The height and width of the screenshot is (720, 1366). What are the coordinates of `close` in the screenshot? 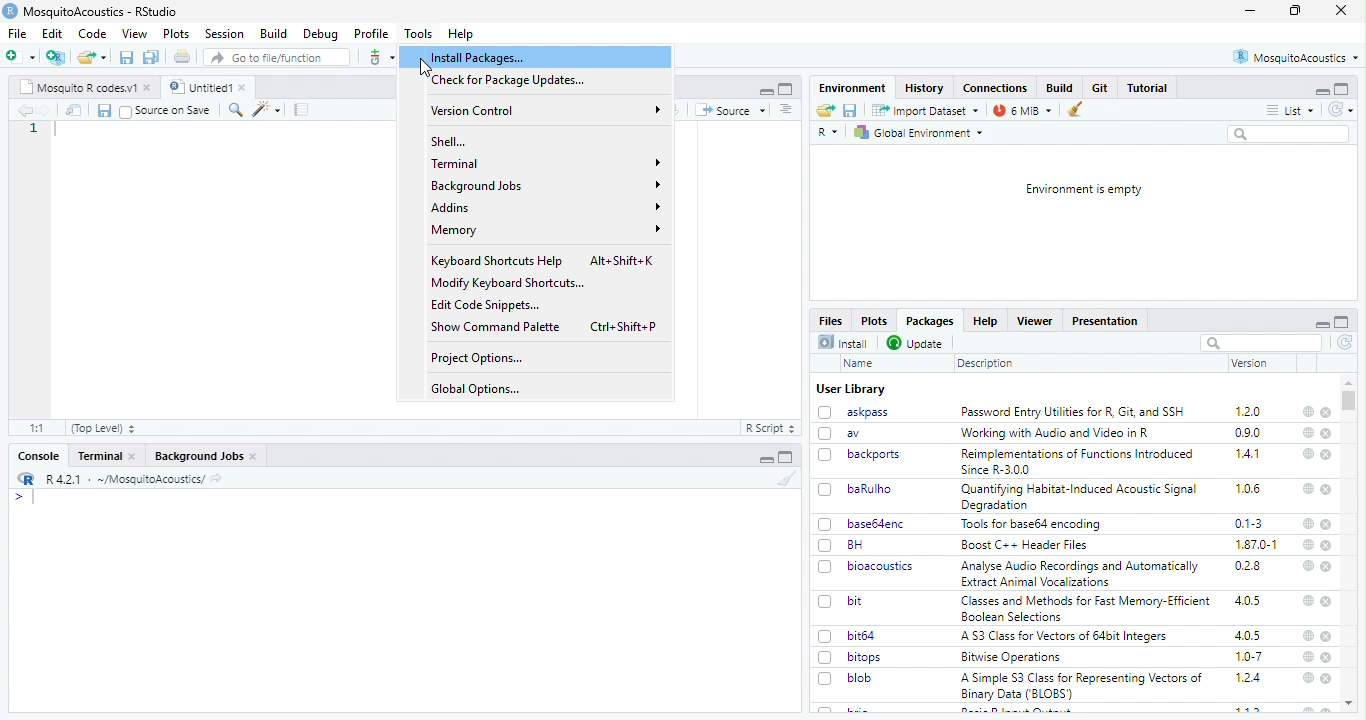 It's located at (1326, 601).